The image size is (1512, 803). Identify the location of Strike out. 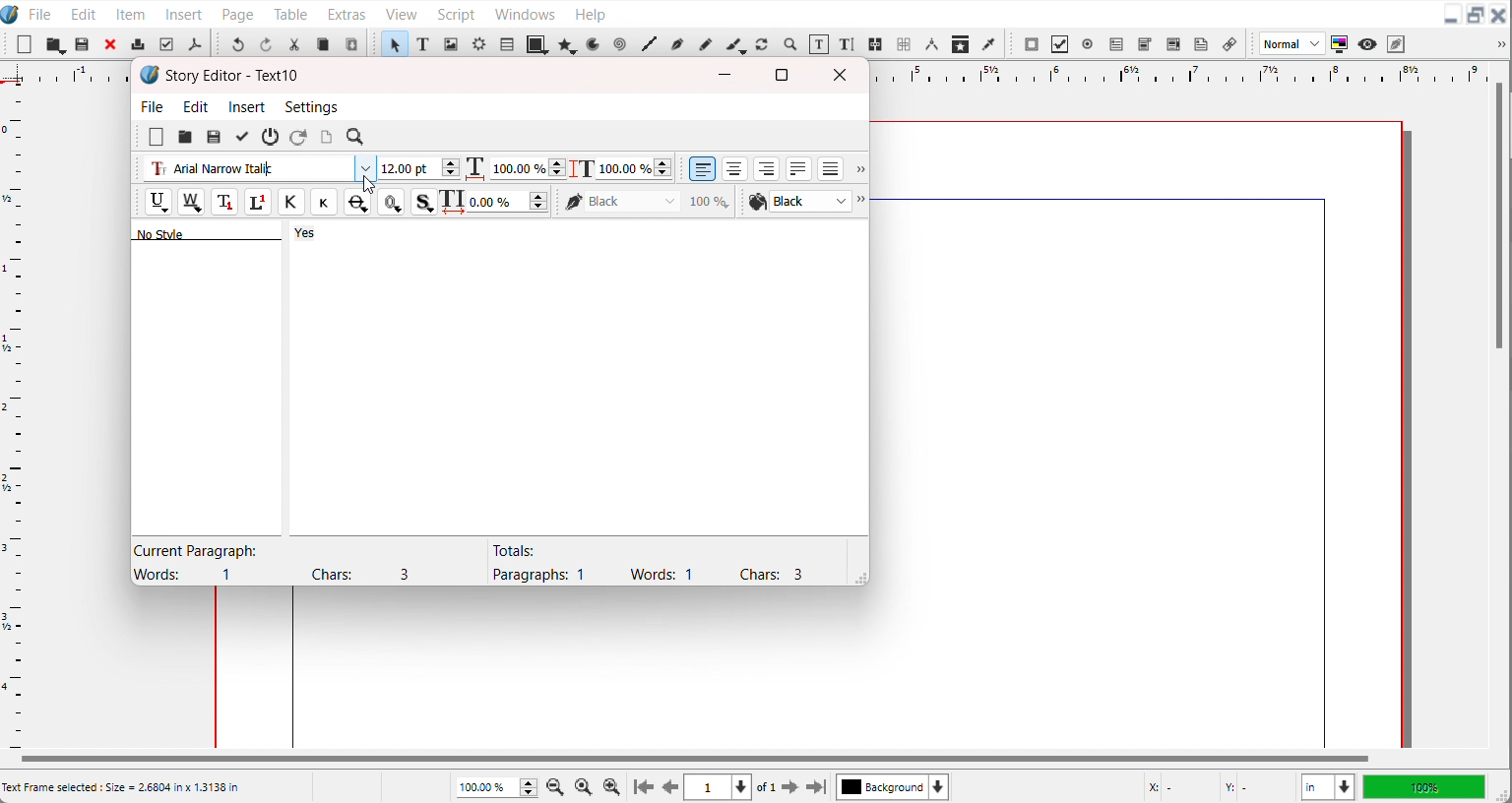
(355, 202).